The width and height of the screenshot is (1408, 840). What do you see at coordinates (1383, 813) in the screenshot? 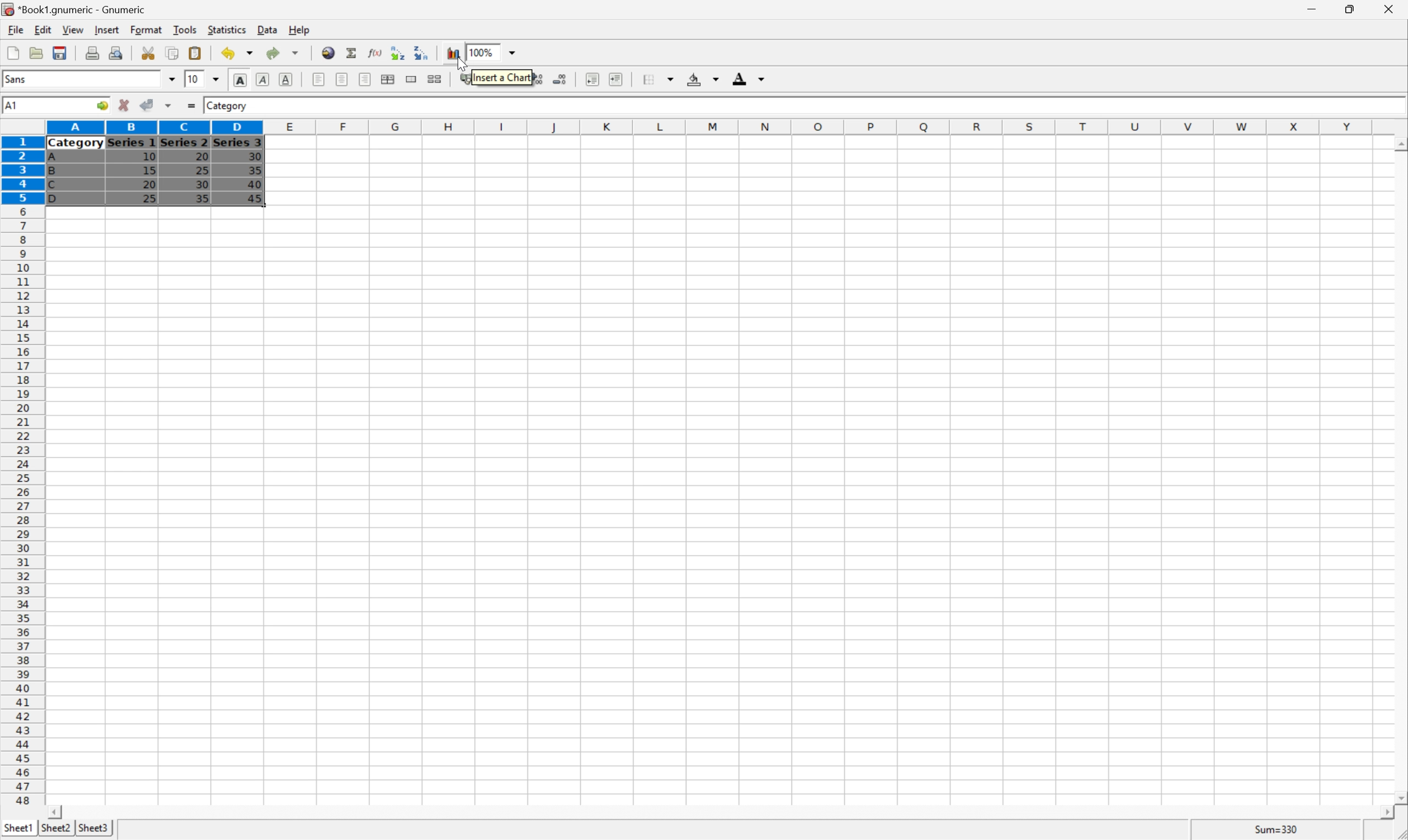
I see `Scroll Right` at bounding box center [1383, 813].